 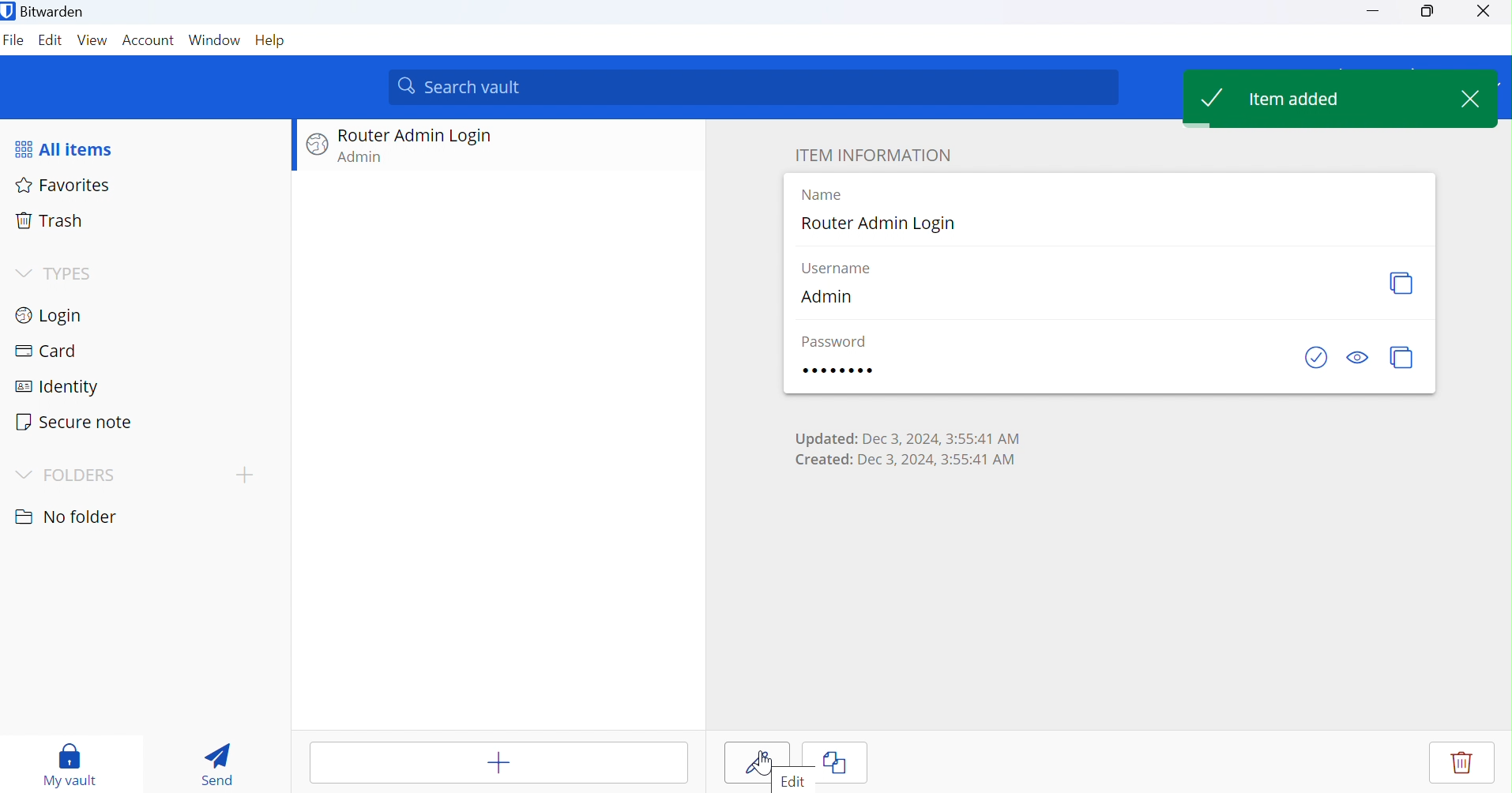 I want to click on Check if password has been exposed, so click(x=1320, y=359).